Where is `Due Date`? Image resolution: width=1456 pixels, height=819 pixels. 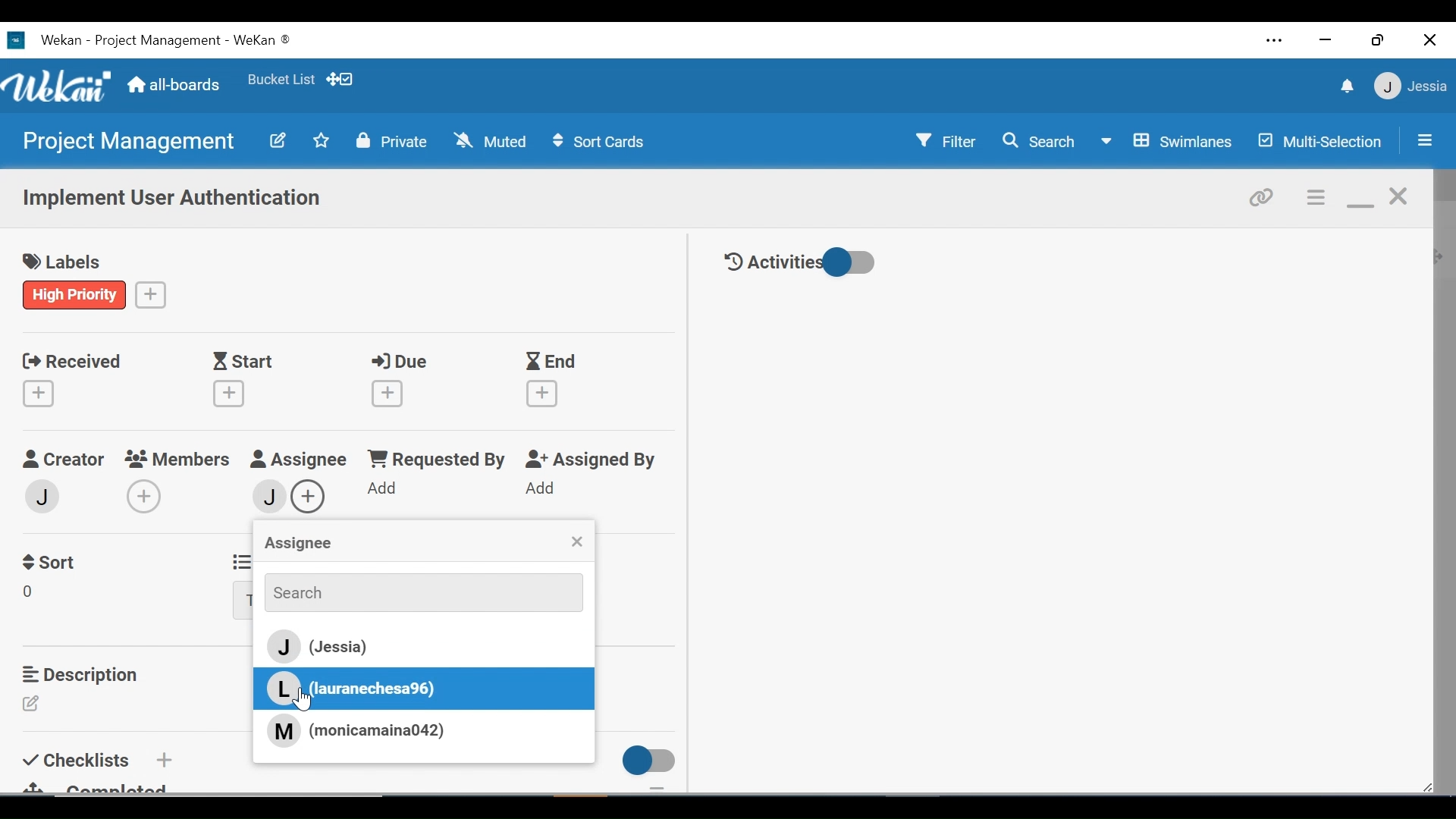 Due Date is located at coordinates (403, 362).